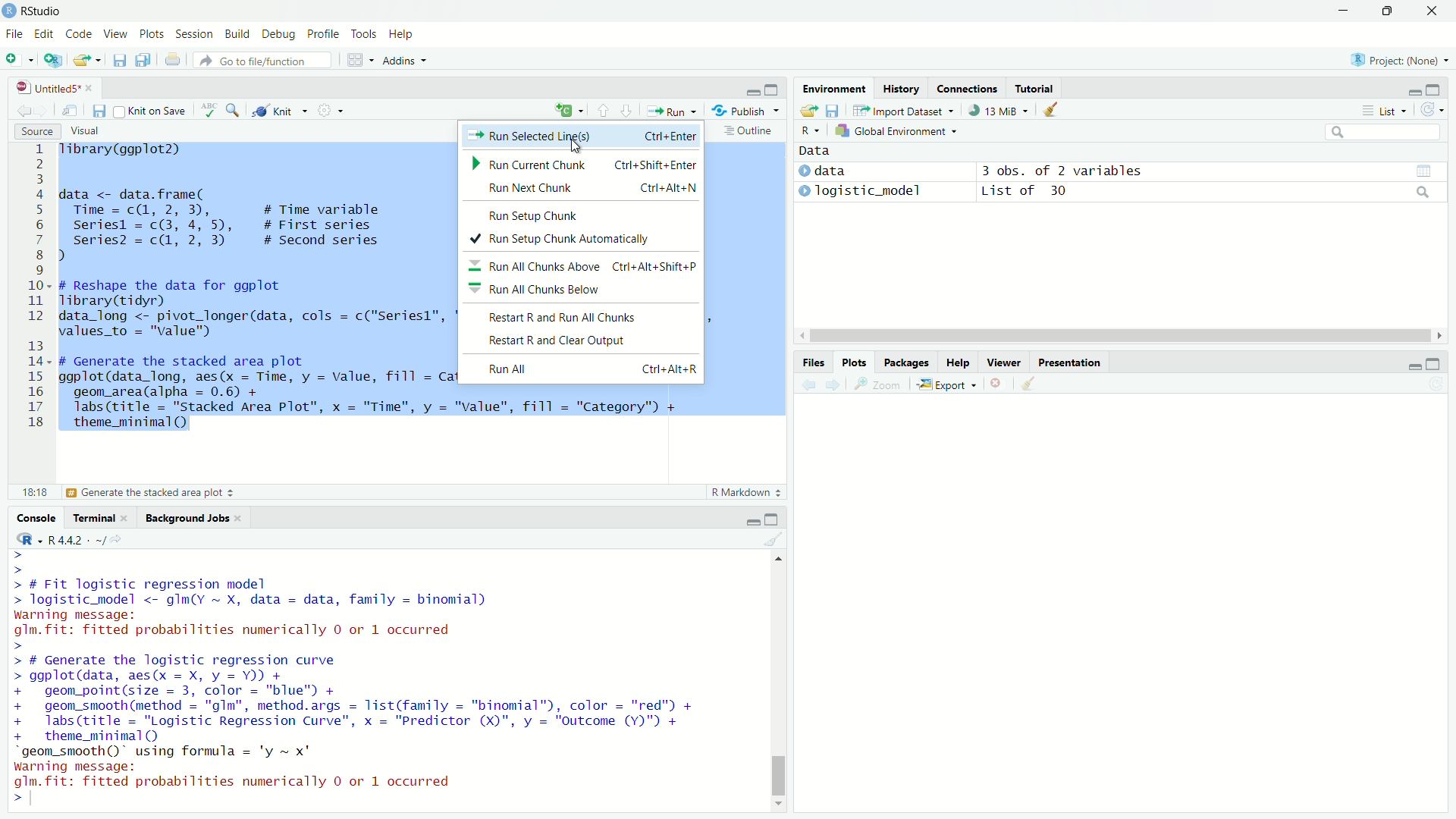 The image size is (1456, 819). What do you see at coordinates (1384, 134) in the screenshot?
I see `search` at bounding box center [1384, 134].